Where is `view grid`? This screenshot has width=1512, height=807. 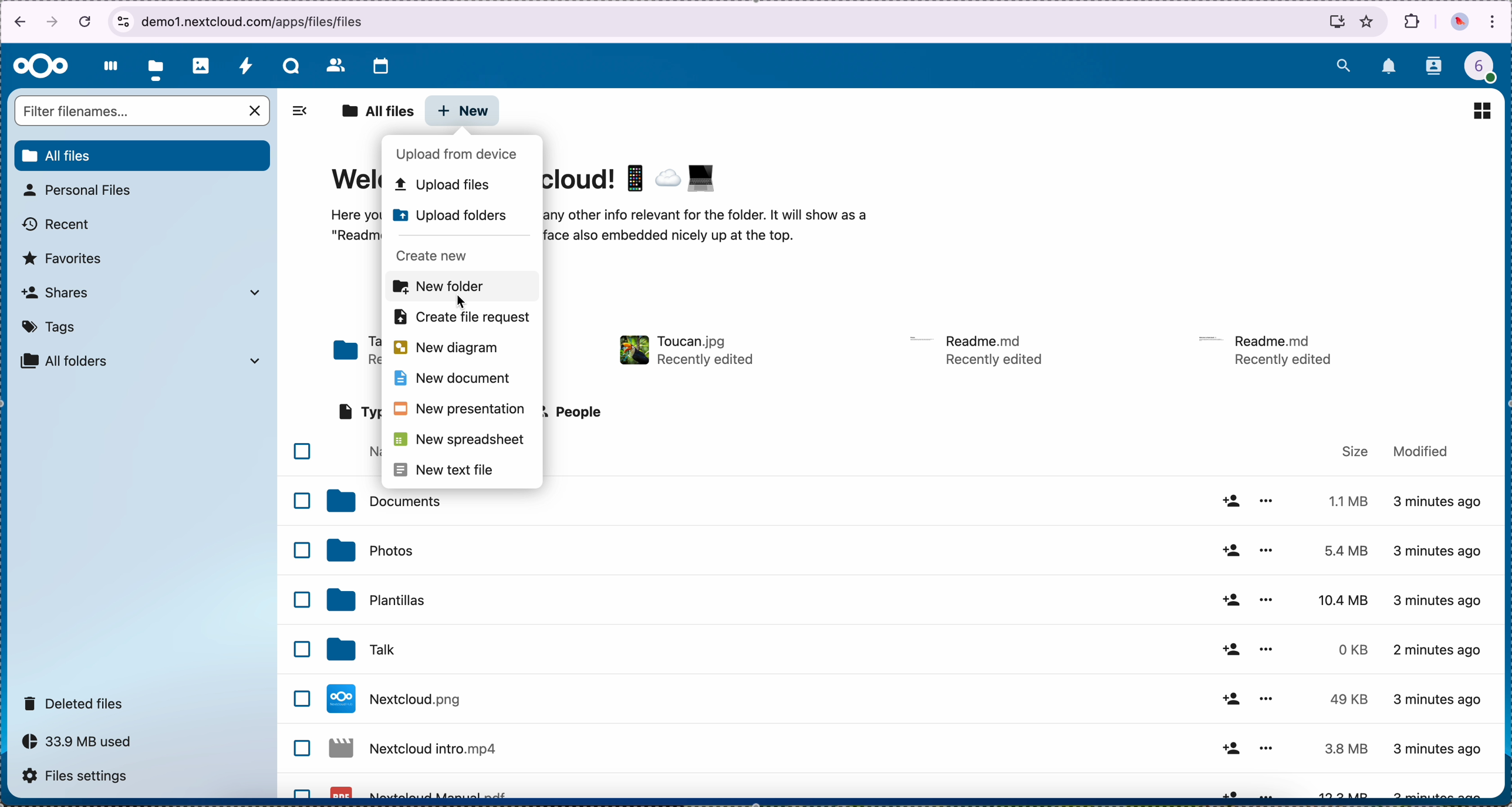 view grid is located at coordinates (1481, 110).